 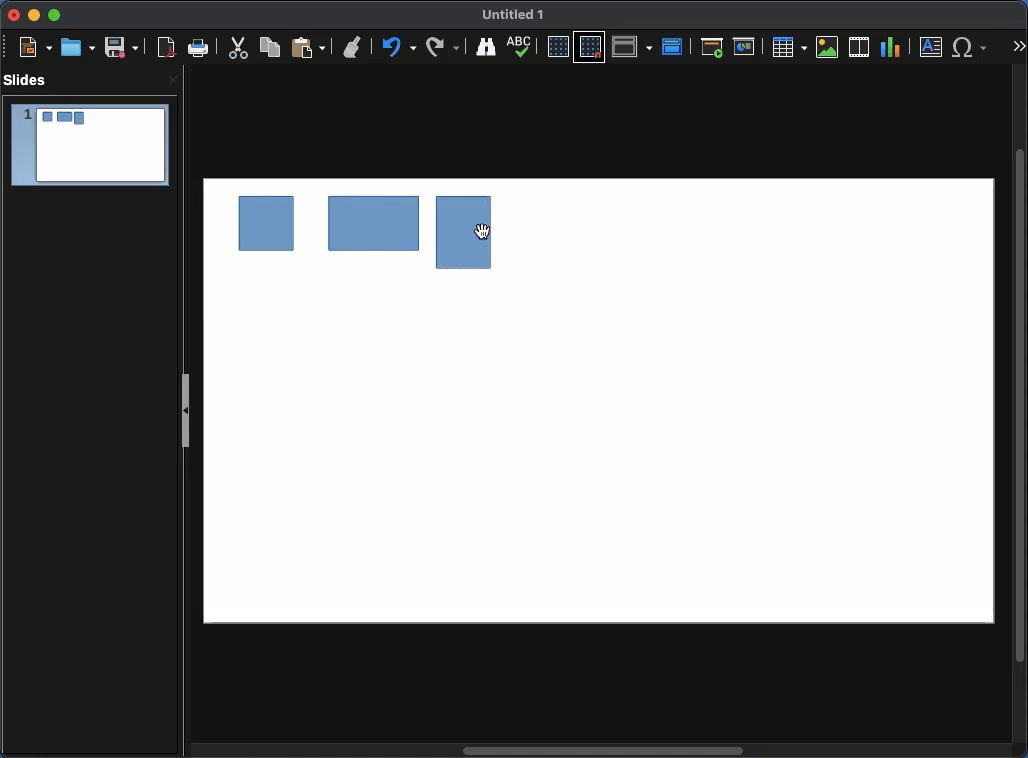 What do you see at coordinates (186, 414) in the screenshot?
I see `Slide panel` at bounding box center [186, 414].